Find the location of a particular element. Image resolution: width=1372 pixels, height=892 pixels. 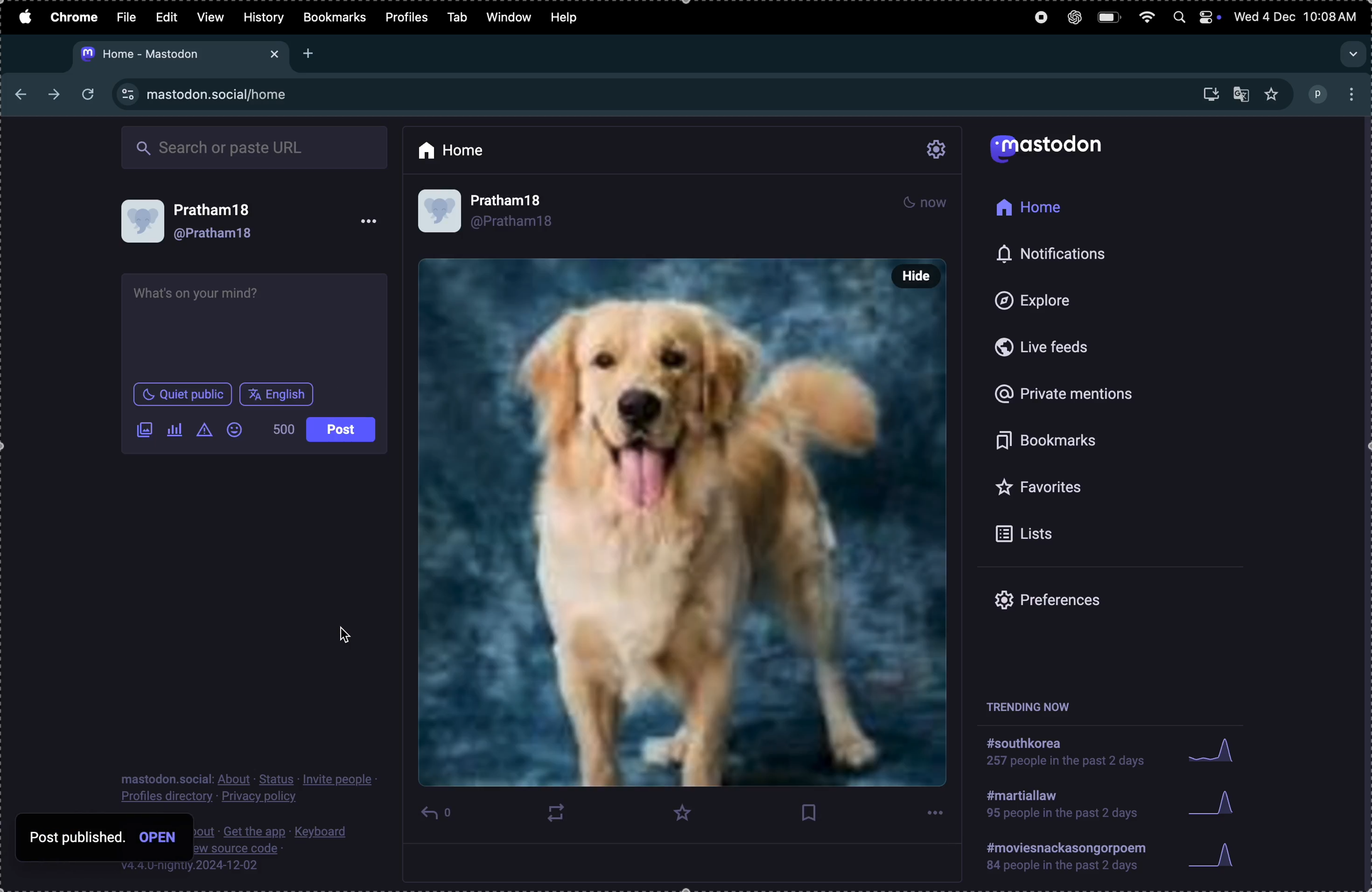

User profile is located at coordinates (226, 221).